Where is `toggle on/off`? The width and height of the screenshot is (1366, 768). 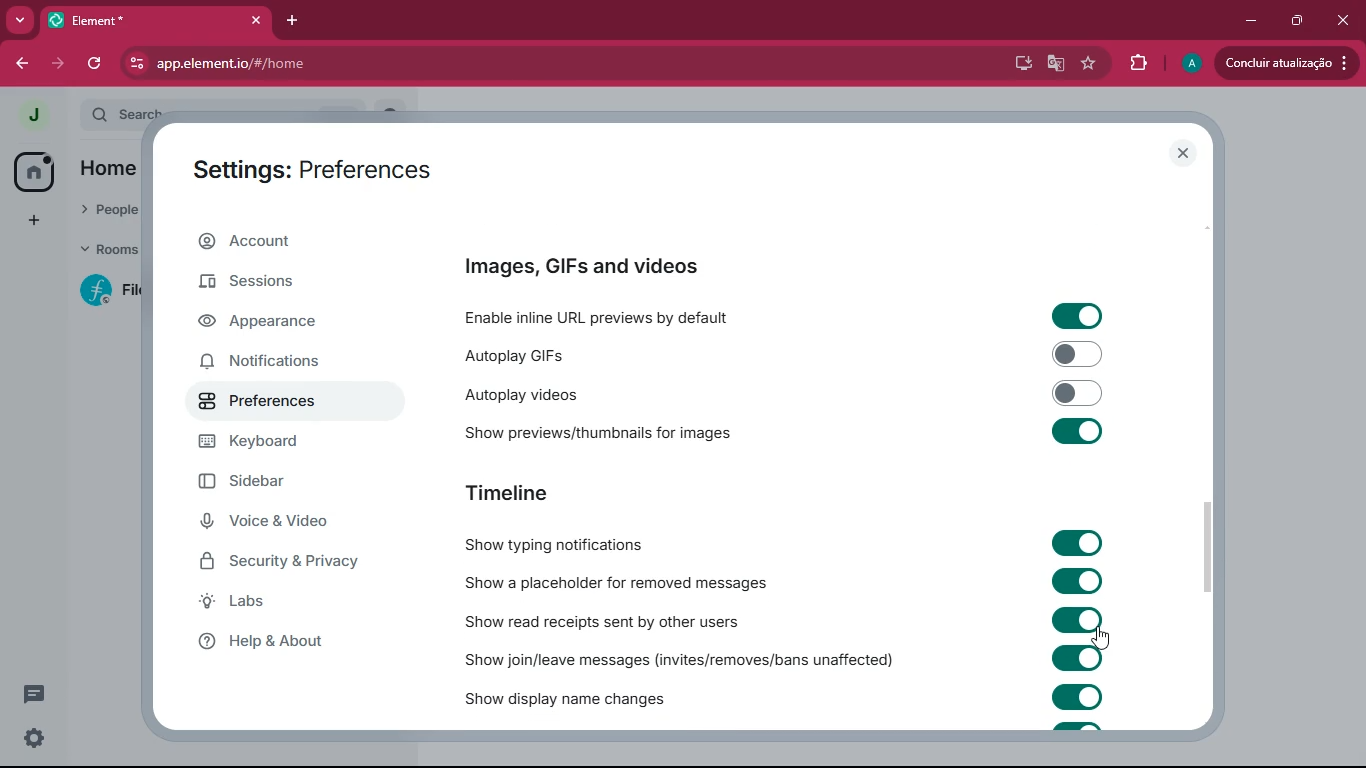
toggle on/off is located at coordinates (1078, 543).